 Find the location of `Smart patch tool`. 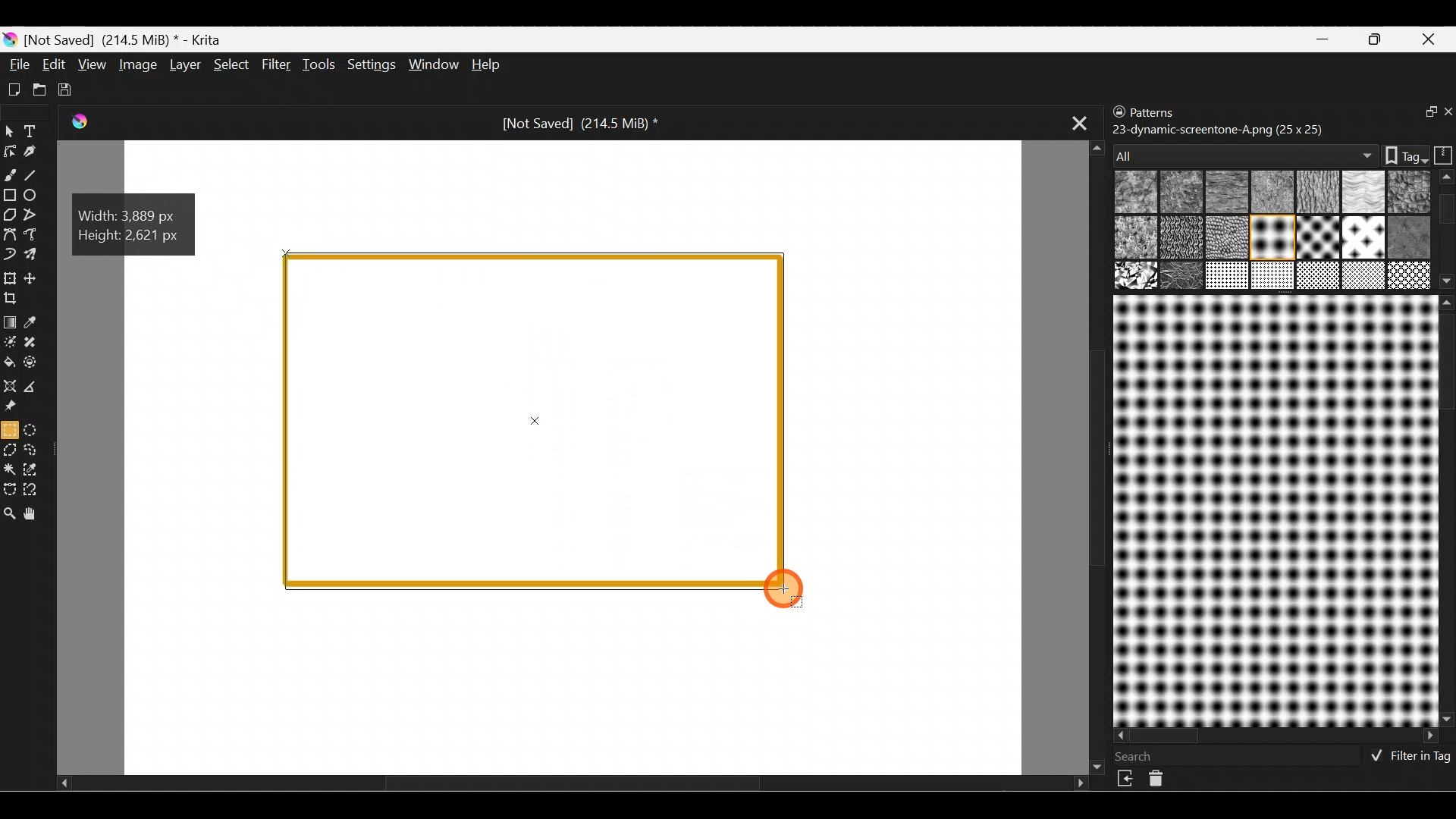

Smart patch tool is located at coordinates (39, 344).